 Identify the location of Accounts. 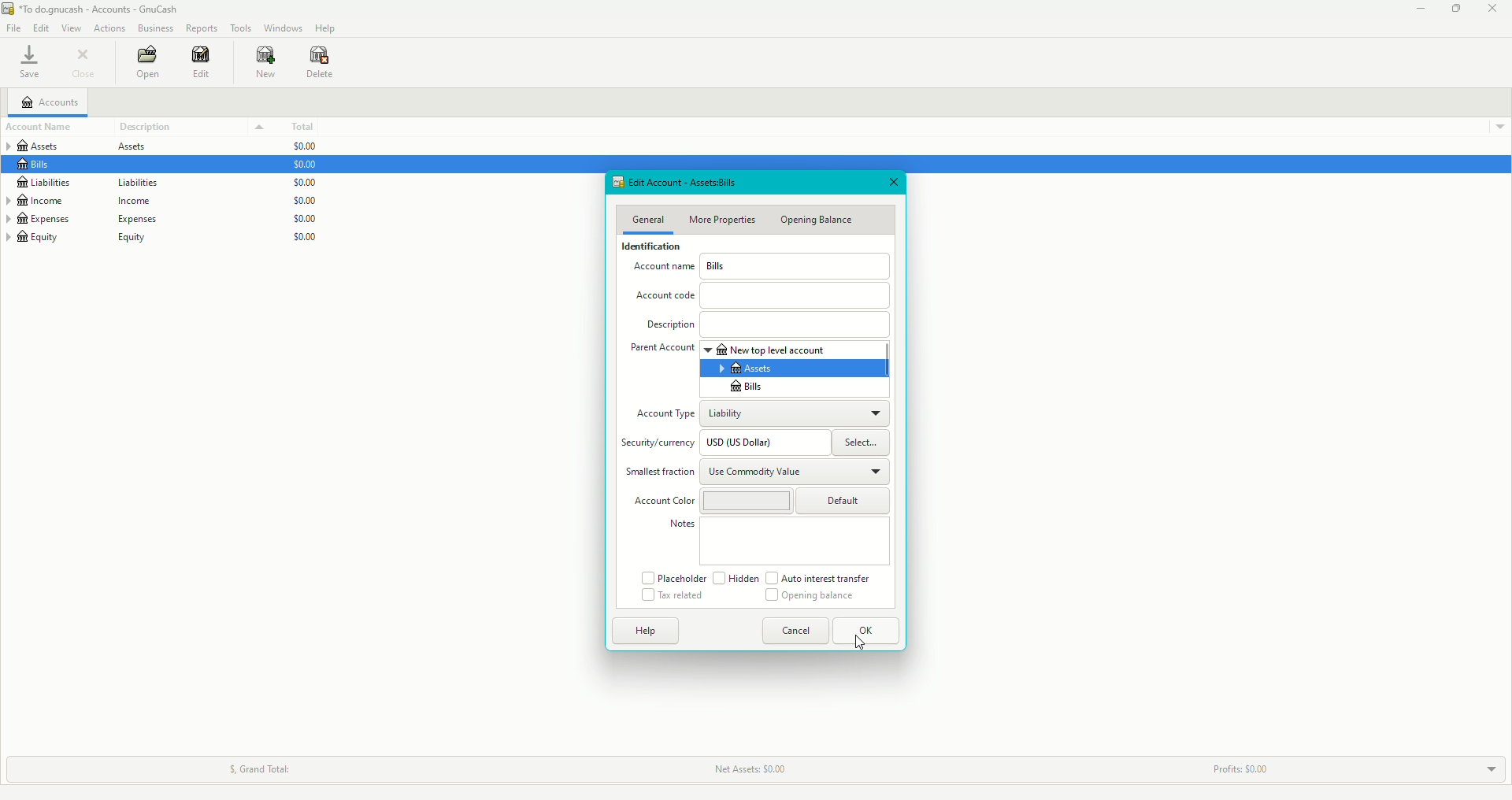
(54, 102).